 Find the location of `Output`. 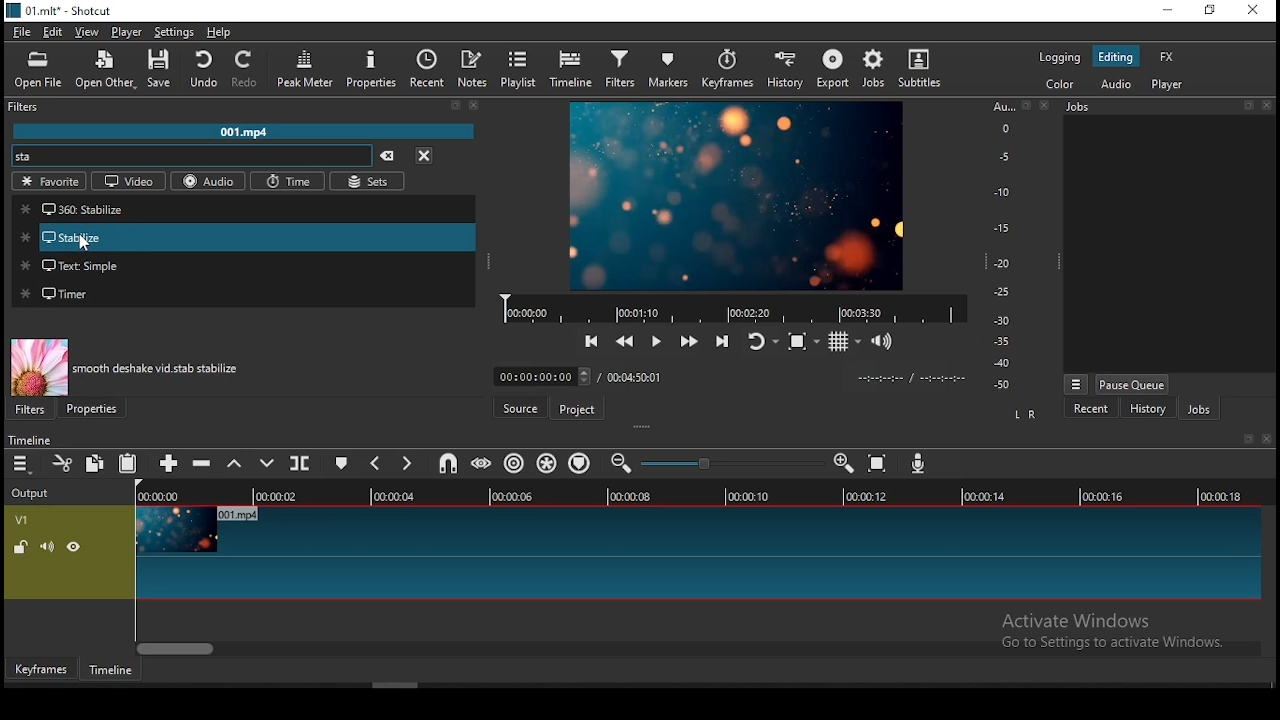

Output is located at coordinates (36, 493).